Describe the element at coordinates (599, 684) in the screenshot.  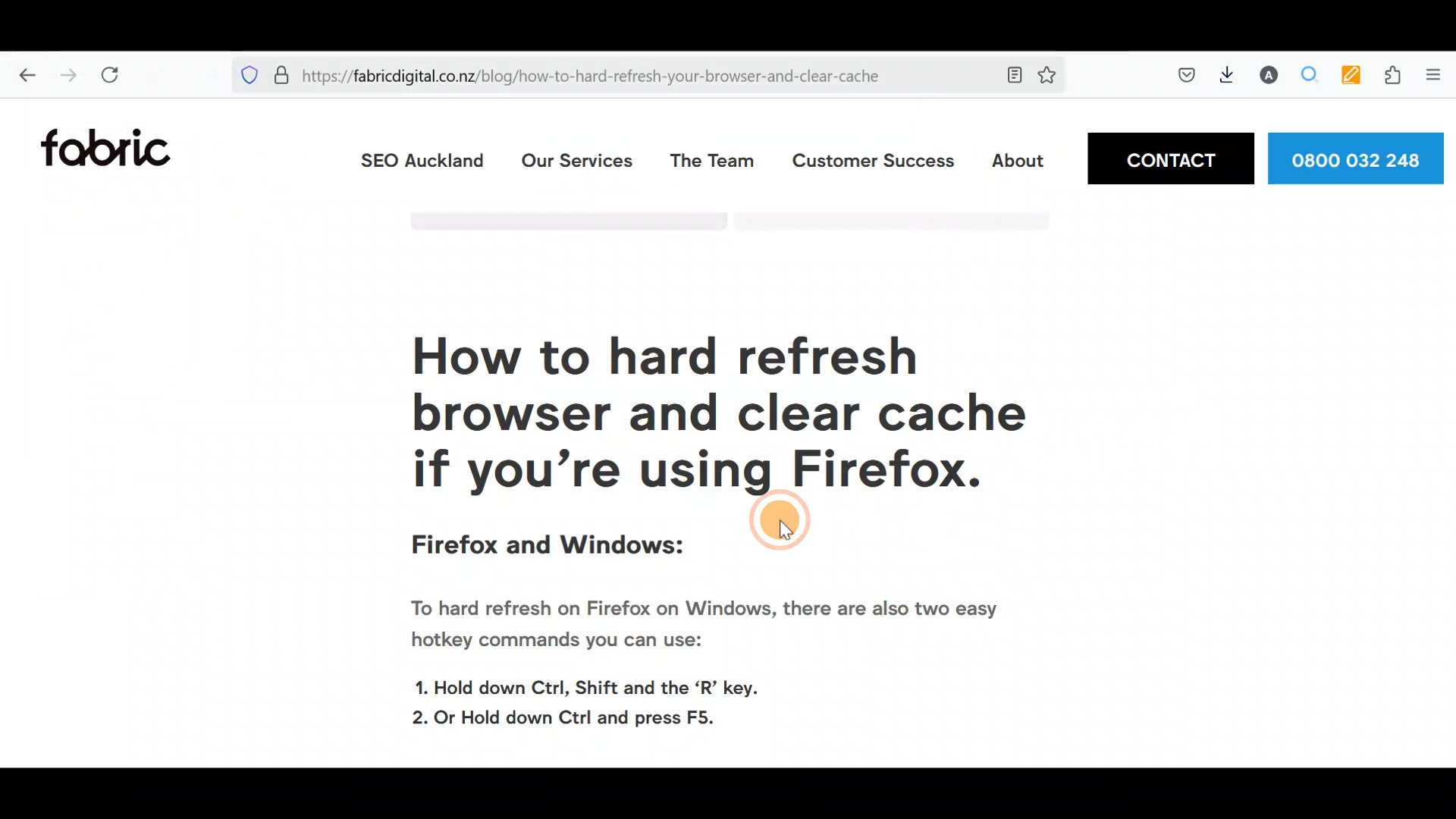
I see `1. Hold down Ctrl, Shift and the ‘R’ key.` at that location.